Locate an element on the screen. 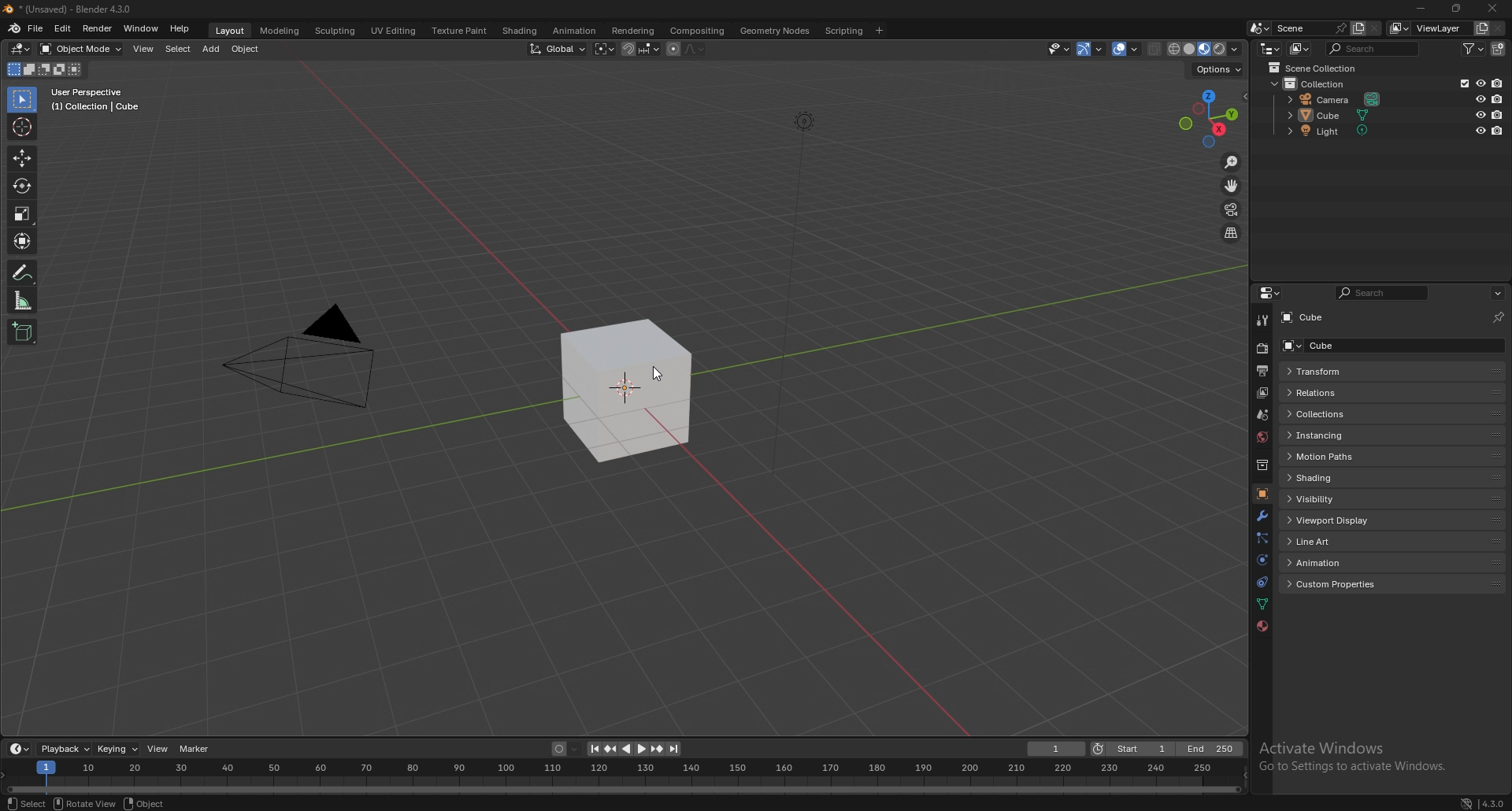 The height and width of the screenshot is (811, 1512). disable in renders is located at coordinates (1499, 130).